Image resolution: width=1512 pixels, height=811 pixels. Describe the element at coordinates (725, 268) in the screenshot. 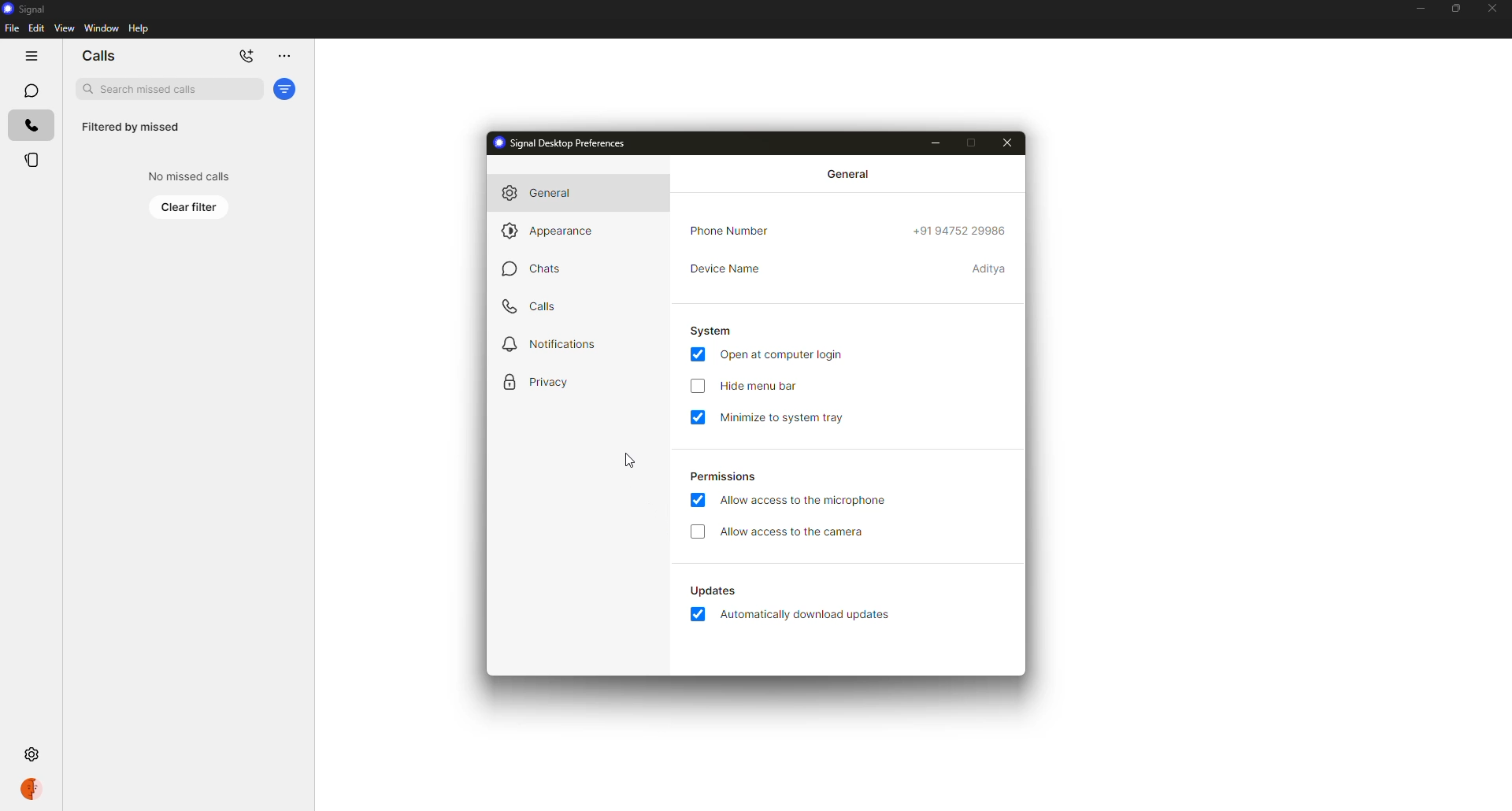

I see `device name` at that location.